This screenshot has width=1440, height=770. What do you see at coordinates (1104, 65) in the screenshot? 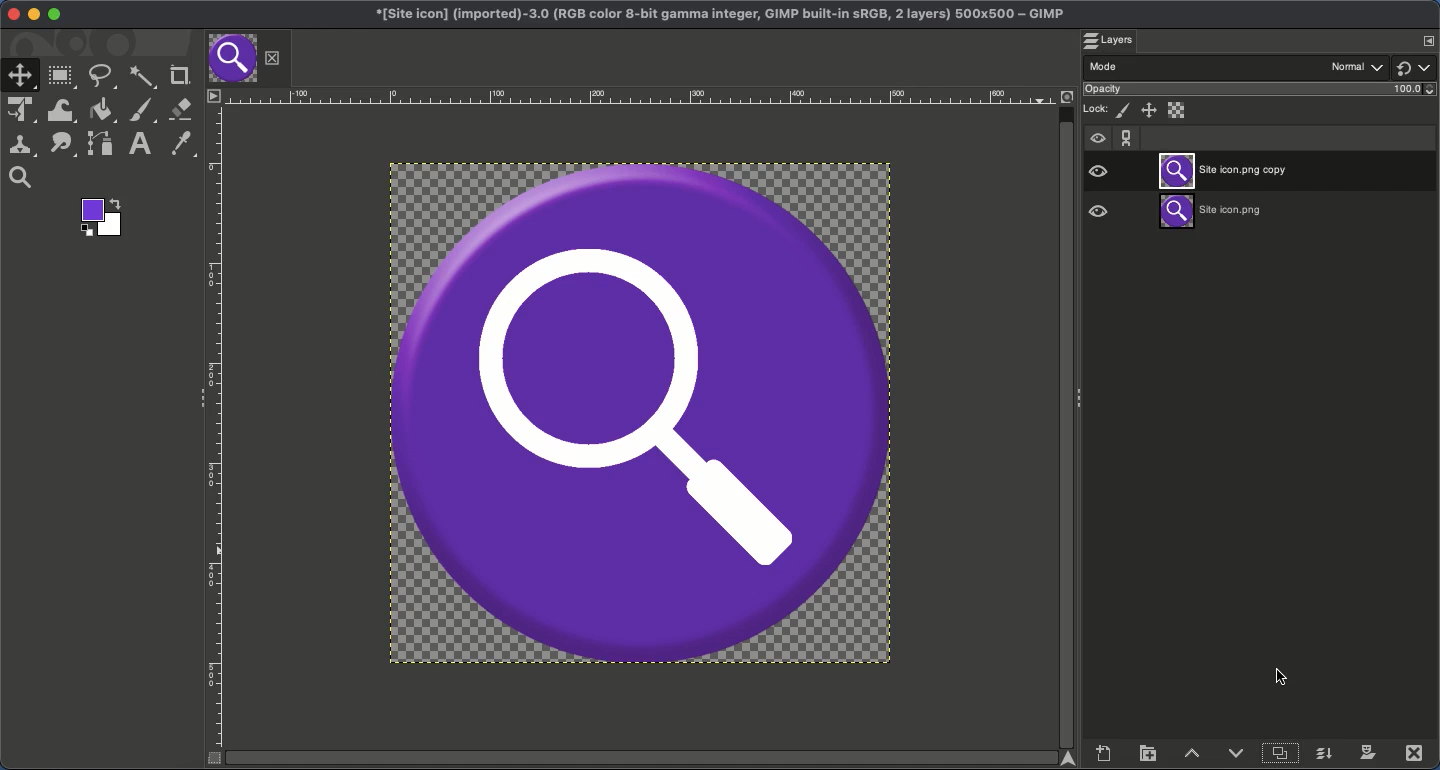
I see `Mode` at bounding box center [1104, 65].